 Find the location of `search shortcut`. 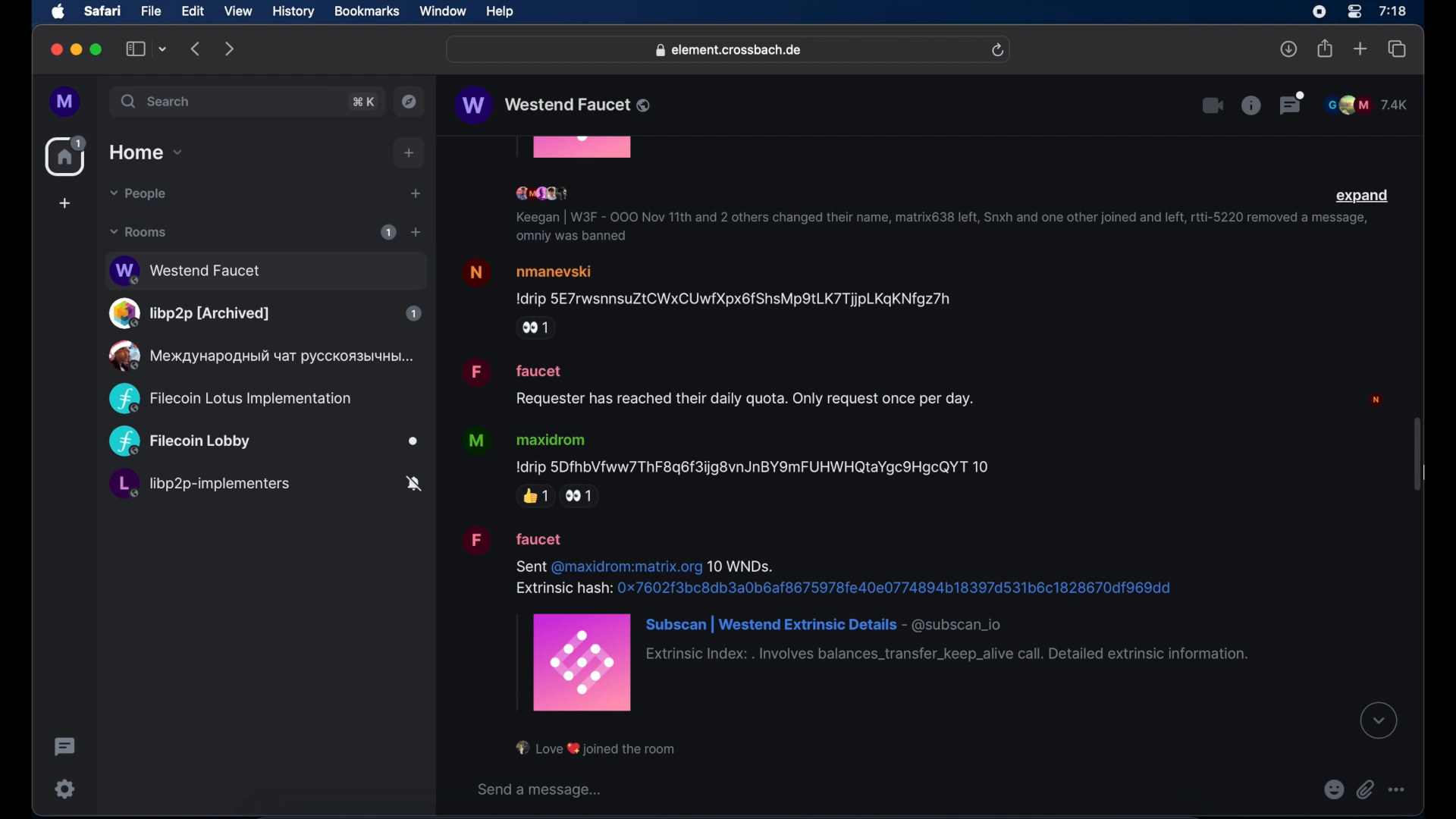

search shortcut is located at coordinates (365, 102).